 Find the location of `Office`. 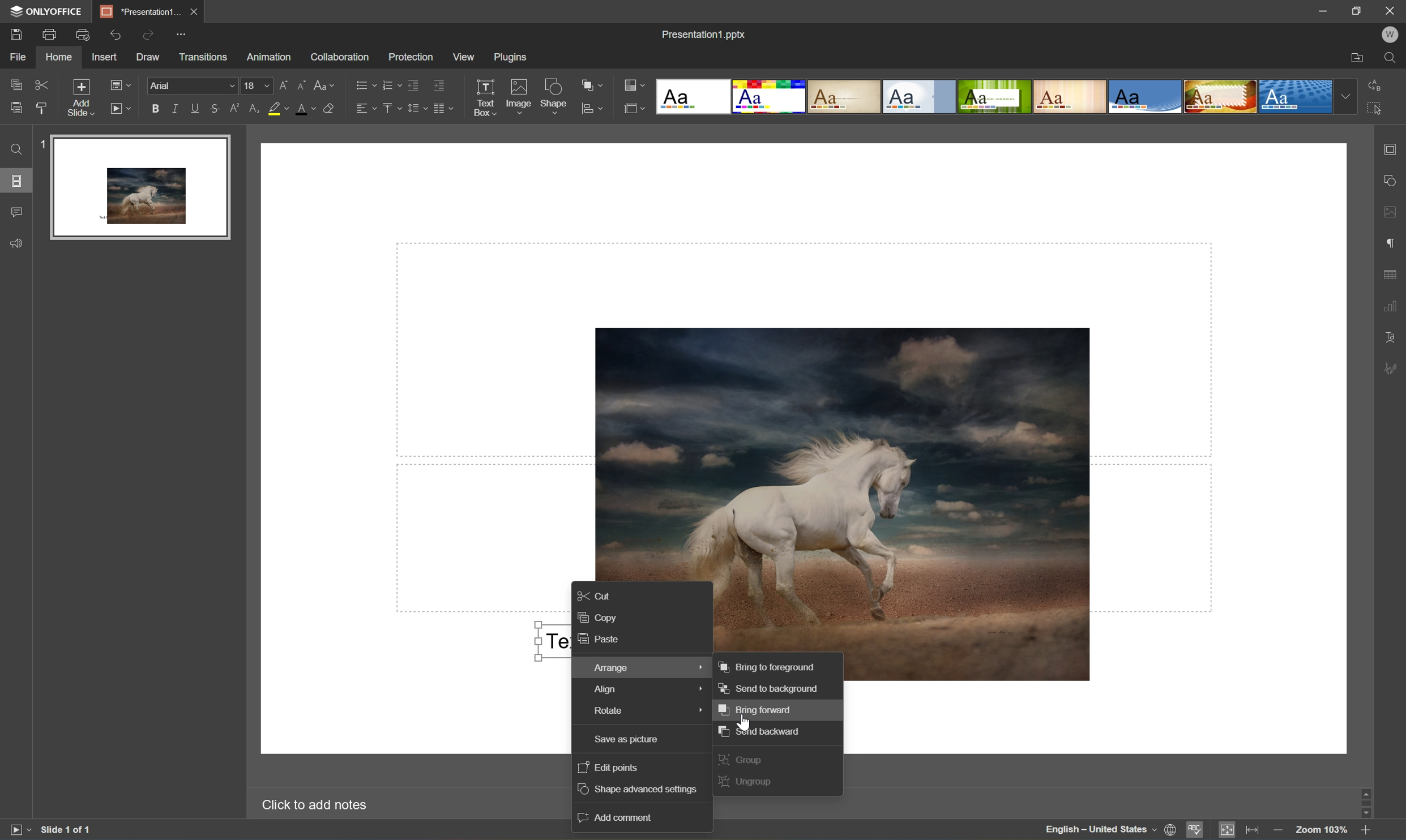

Office is located at coordinates (1146, 96).